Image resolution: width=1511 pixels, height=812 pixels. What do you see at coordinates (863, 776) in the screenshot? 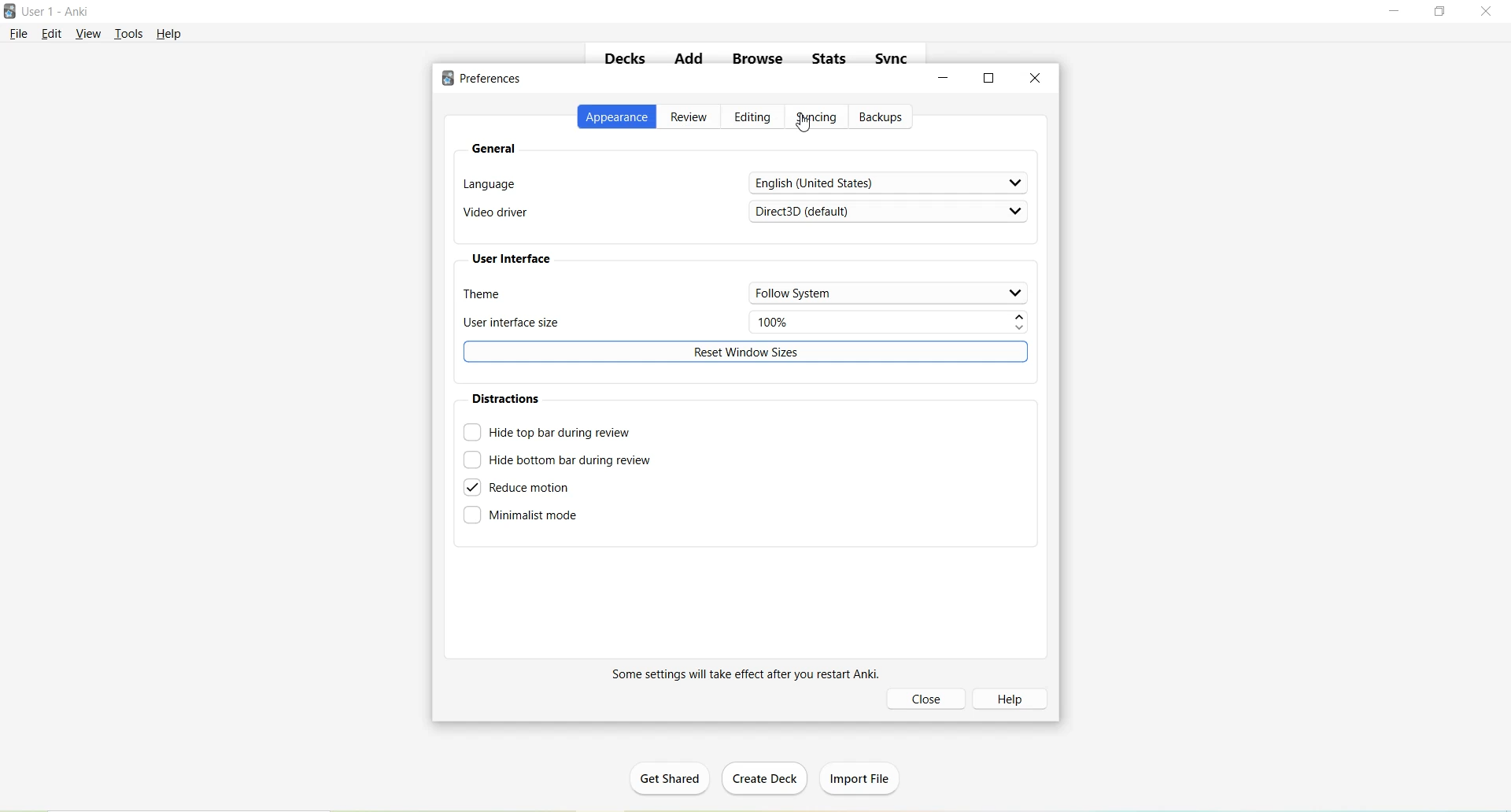
I see `Import file` at bounding box center [863, 776].